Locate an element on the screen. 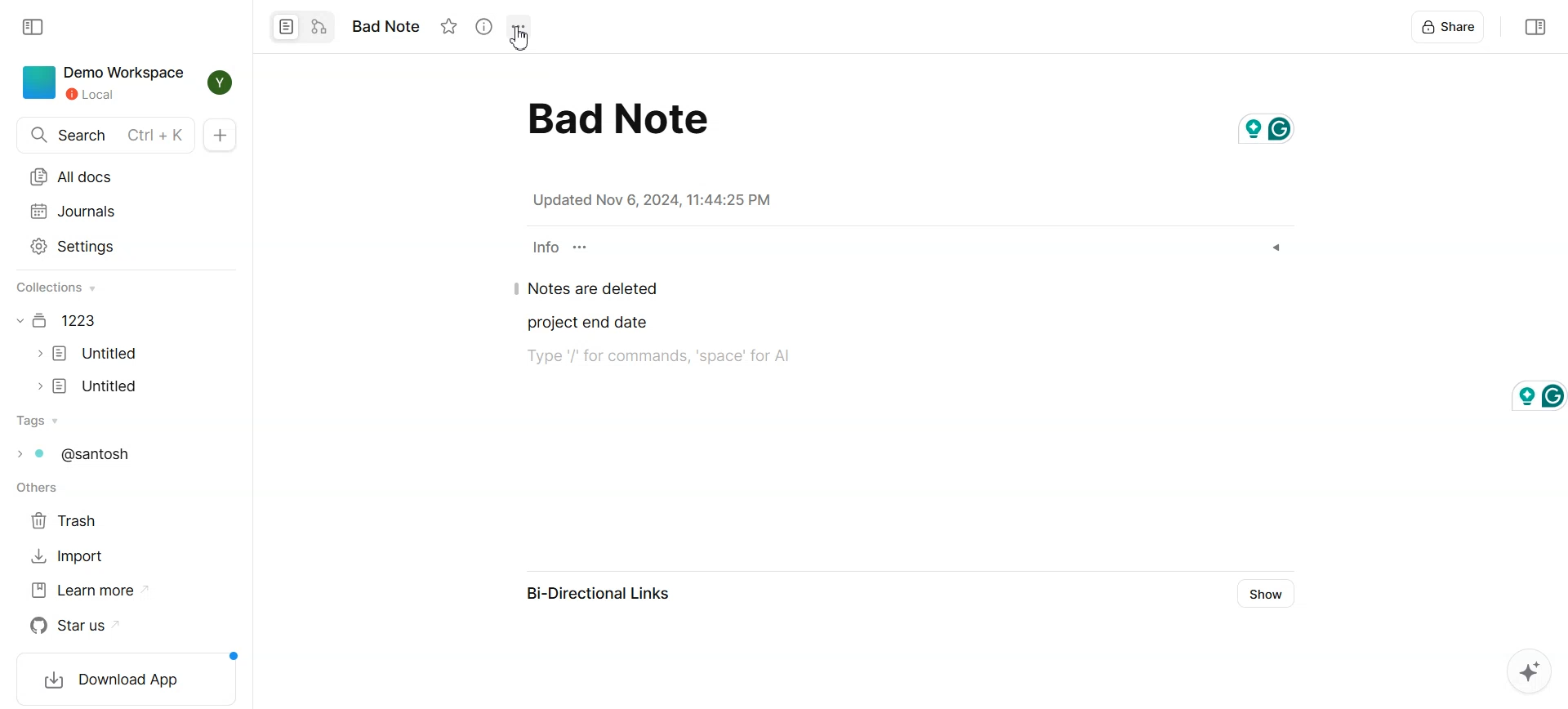  Download App is located at coordinates (122, 680).